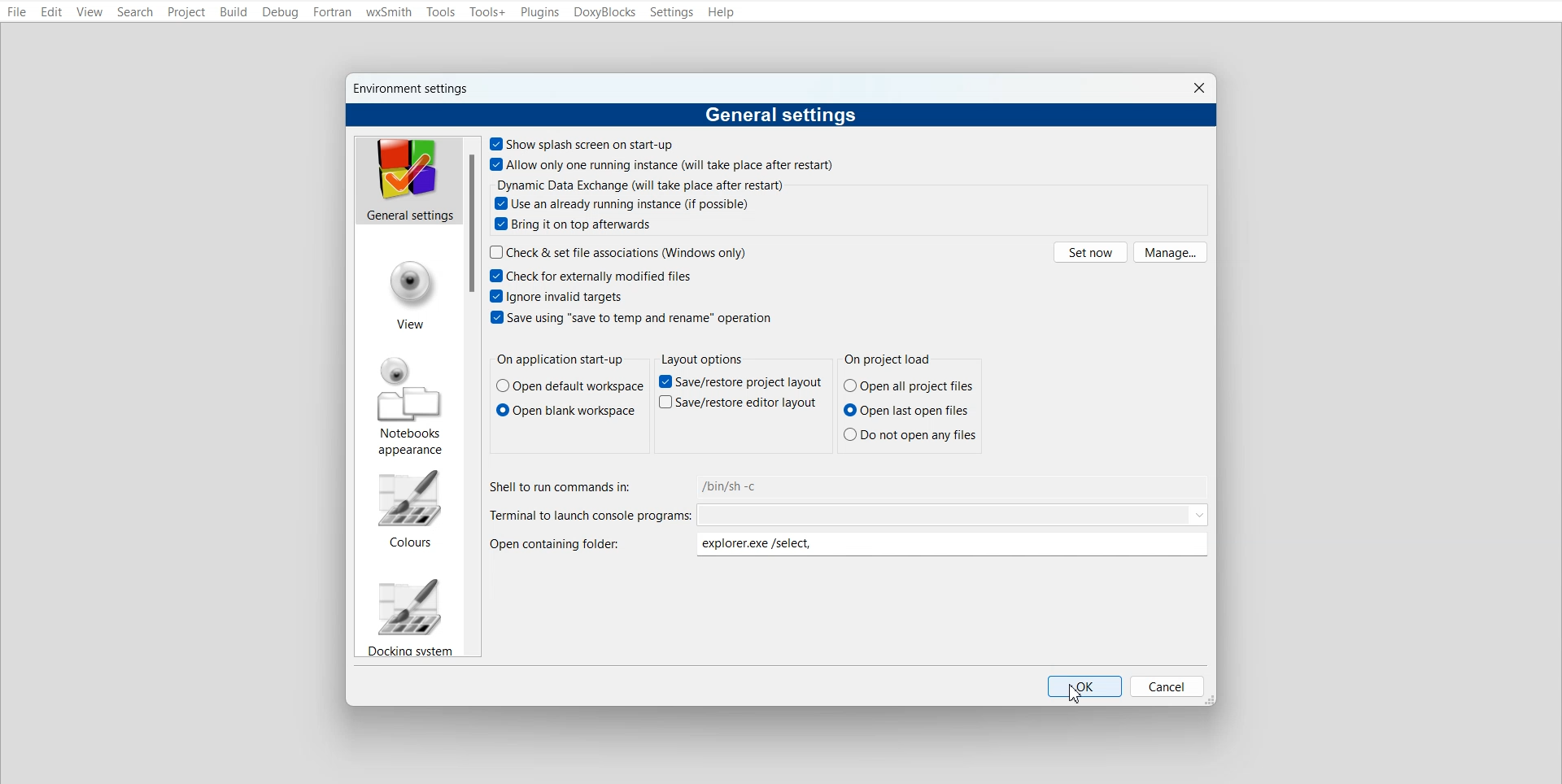 This screenshot has height=784, width=1562. What do you see at coordinates (737, 402) in the screenshot?
I see `Save/restore editor layout` at bounding box center [737, 402].